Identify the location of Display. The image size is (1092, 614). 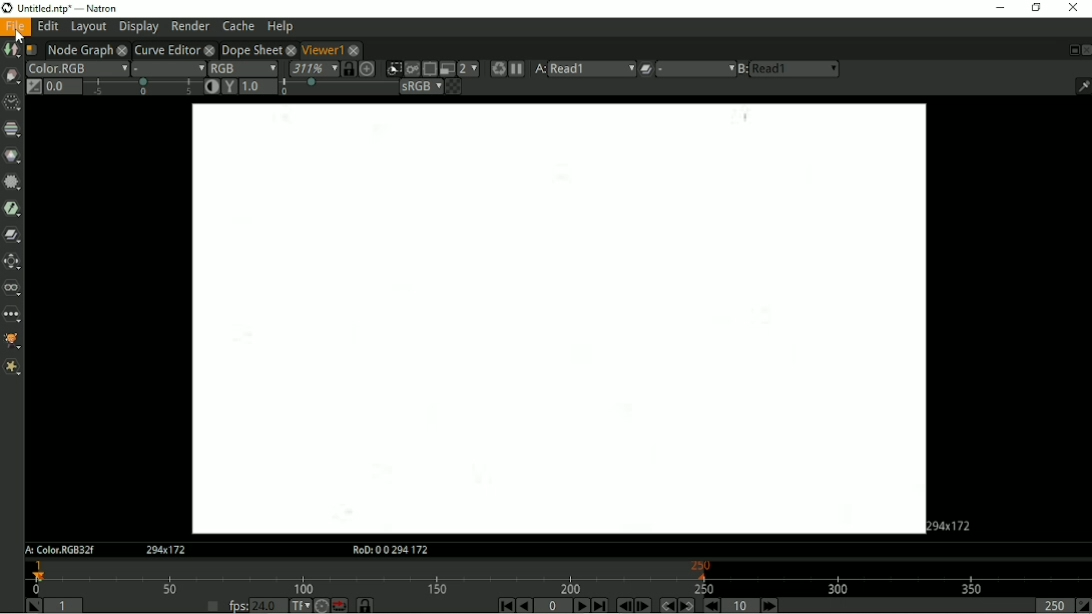
(139, 27).